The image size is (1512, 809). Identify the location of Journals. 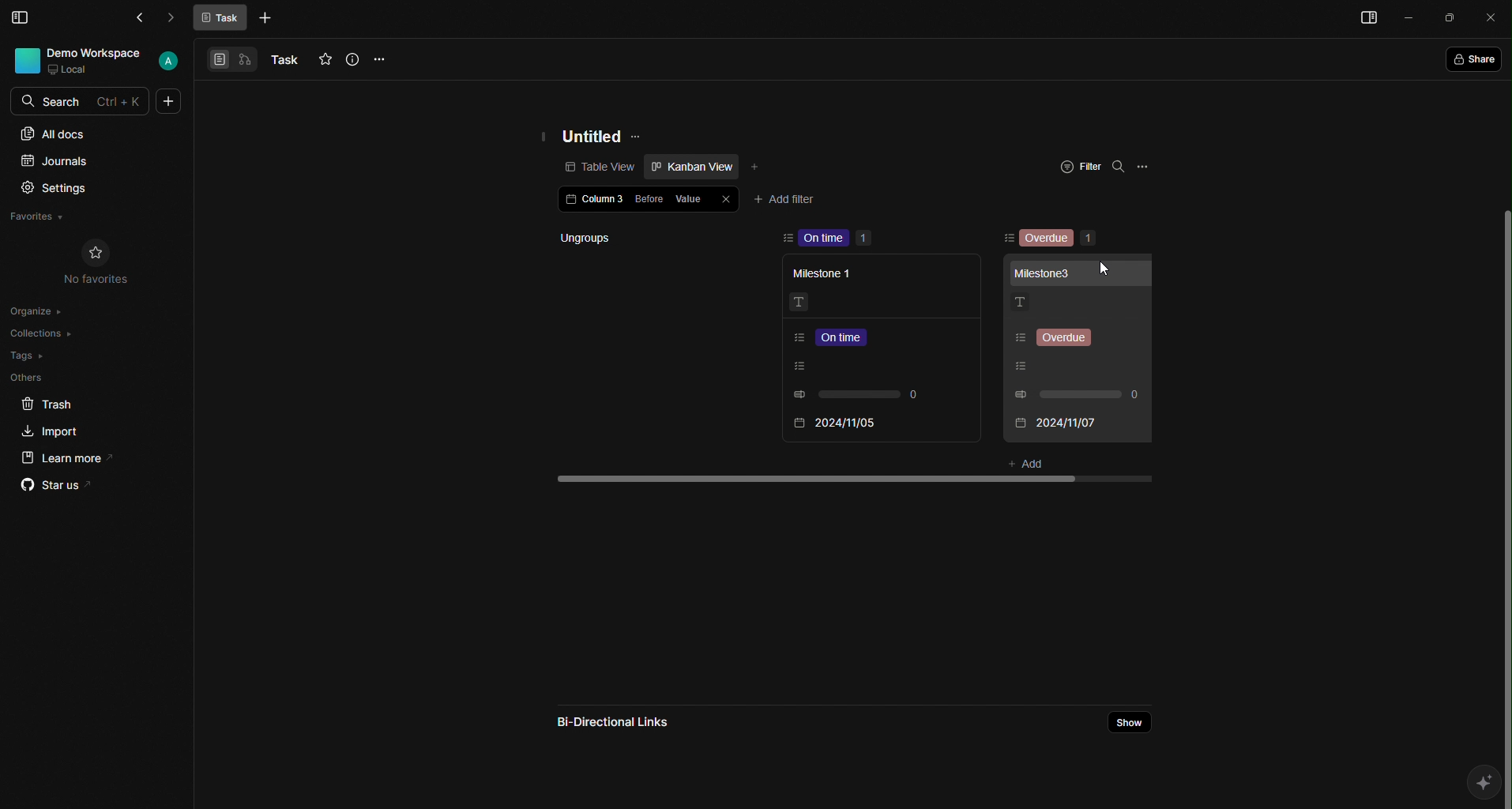
(55, 160).